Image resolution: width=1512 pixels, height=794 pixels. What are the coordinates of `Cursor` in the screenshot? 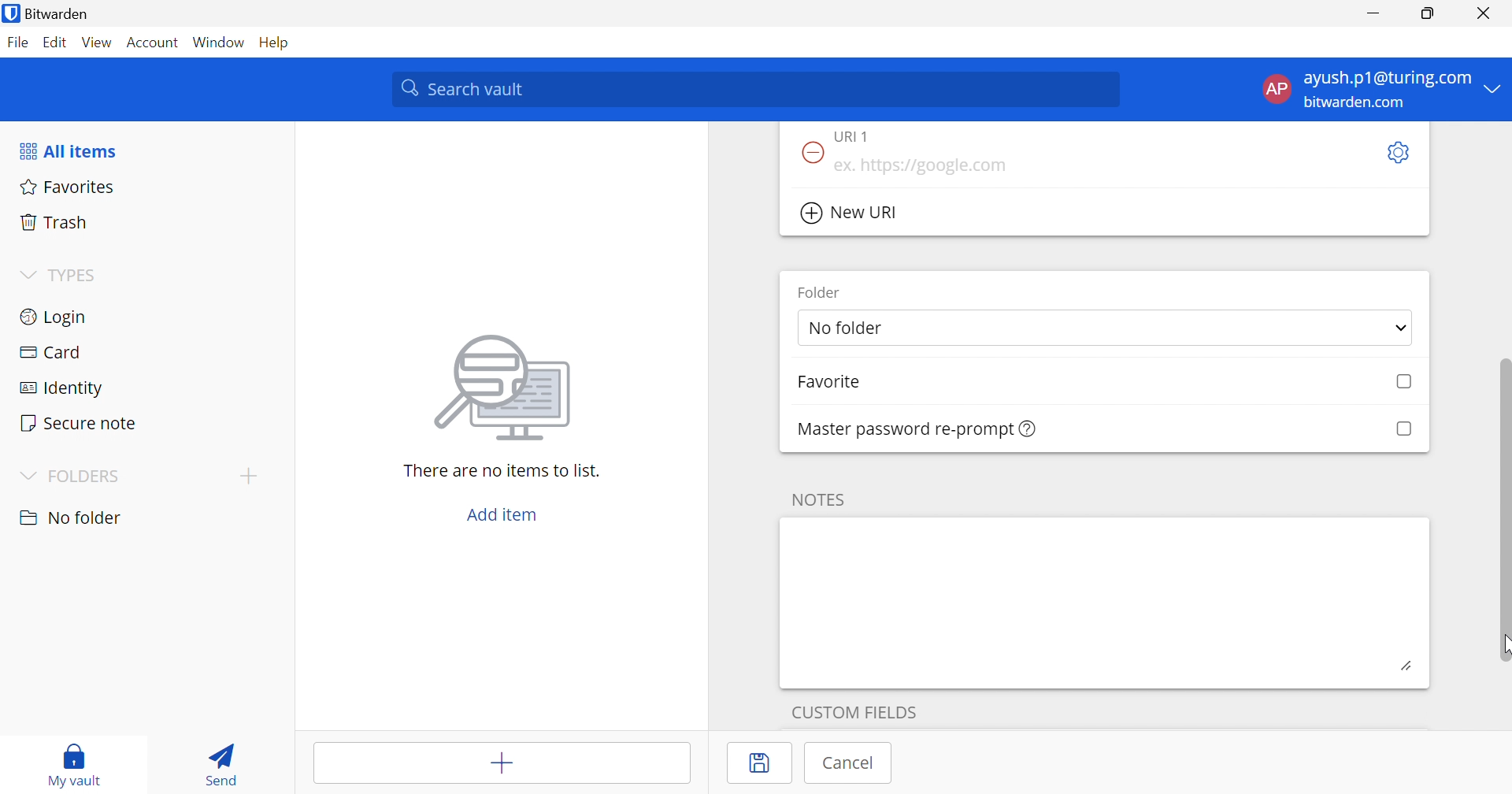 It's located at (1503, 648).